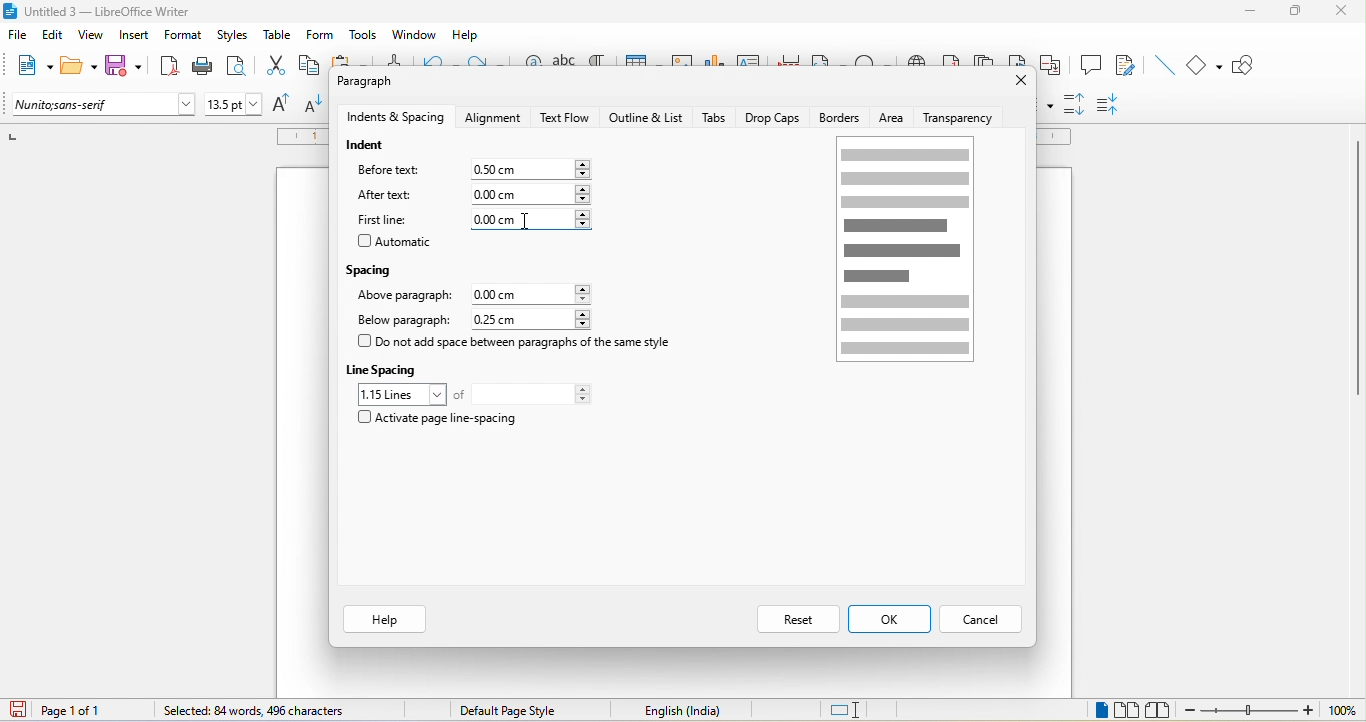 The height and width of the screenshot is (722, 1366). What do you see at coordinates (892, 118) in the screenshot?
I see `area` at bounding box center [892, 118].